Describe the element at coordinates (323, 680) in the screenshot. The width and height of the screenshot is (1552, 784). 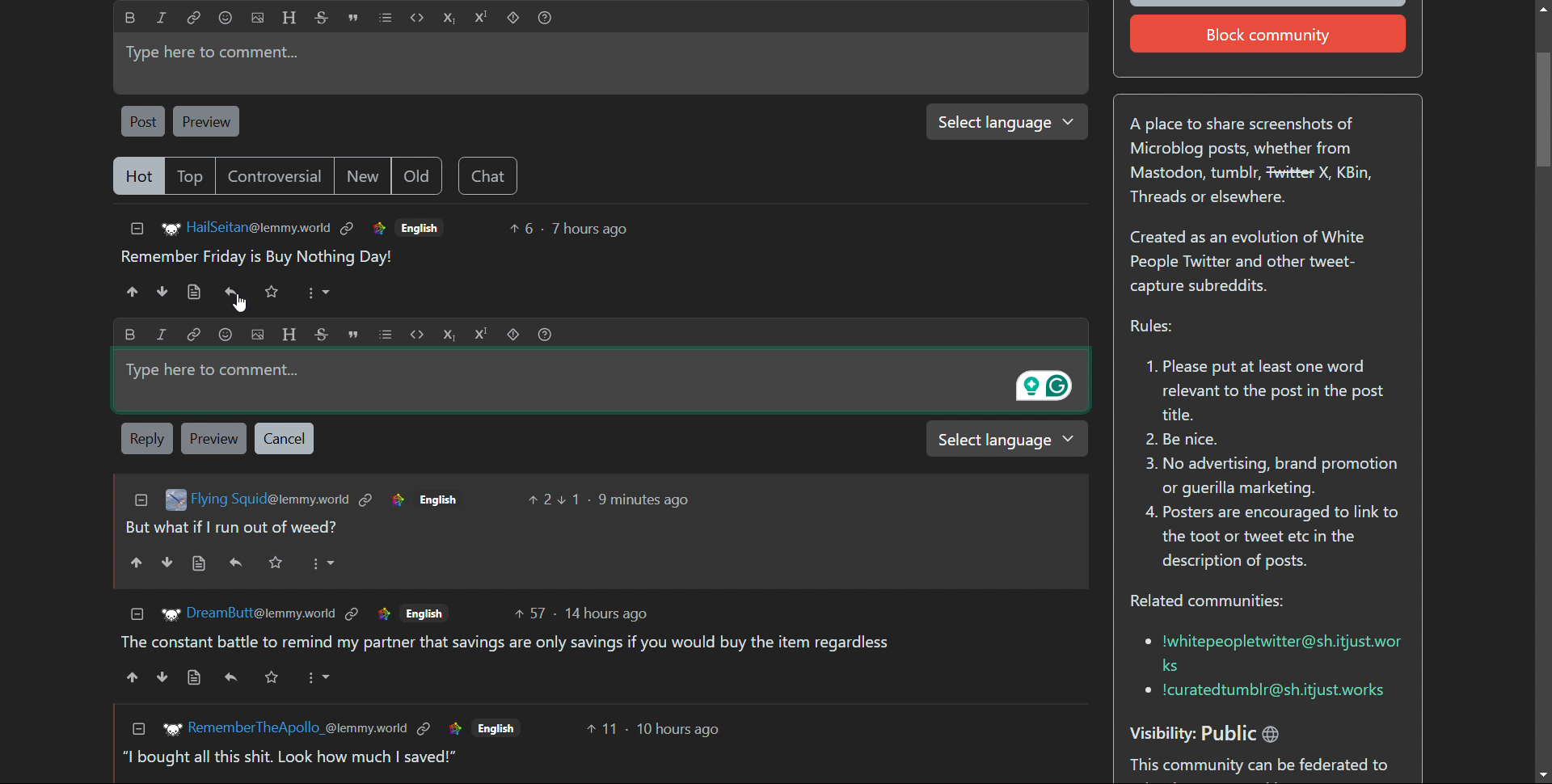
I see `More` at that location.